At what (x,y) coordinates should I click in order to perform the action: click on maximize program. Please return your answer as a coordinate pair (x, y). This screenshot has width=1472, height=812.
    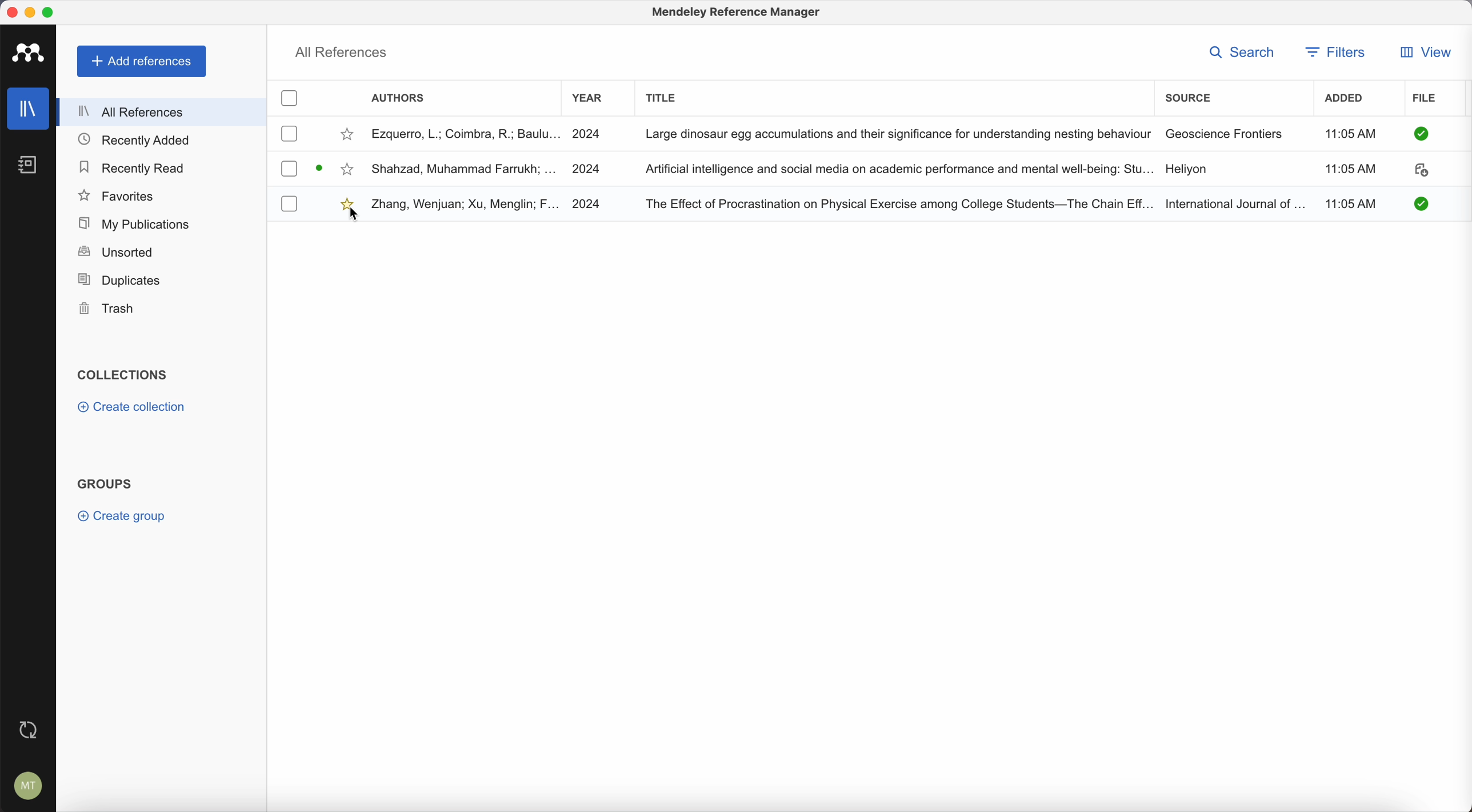
    Looking at the image, I should click on (51, 11).